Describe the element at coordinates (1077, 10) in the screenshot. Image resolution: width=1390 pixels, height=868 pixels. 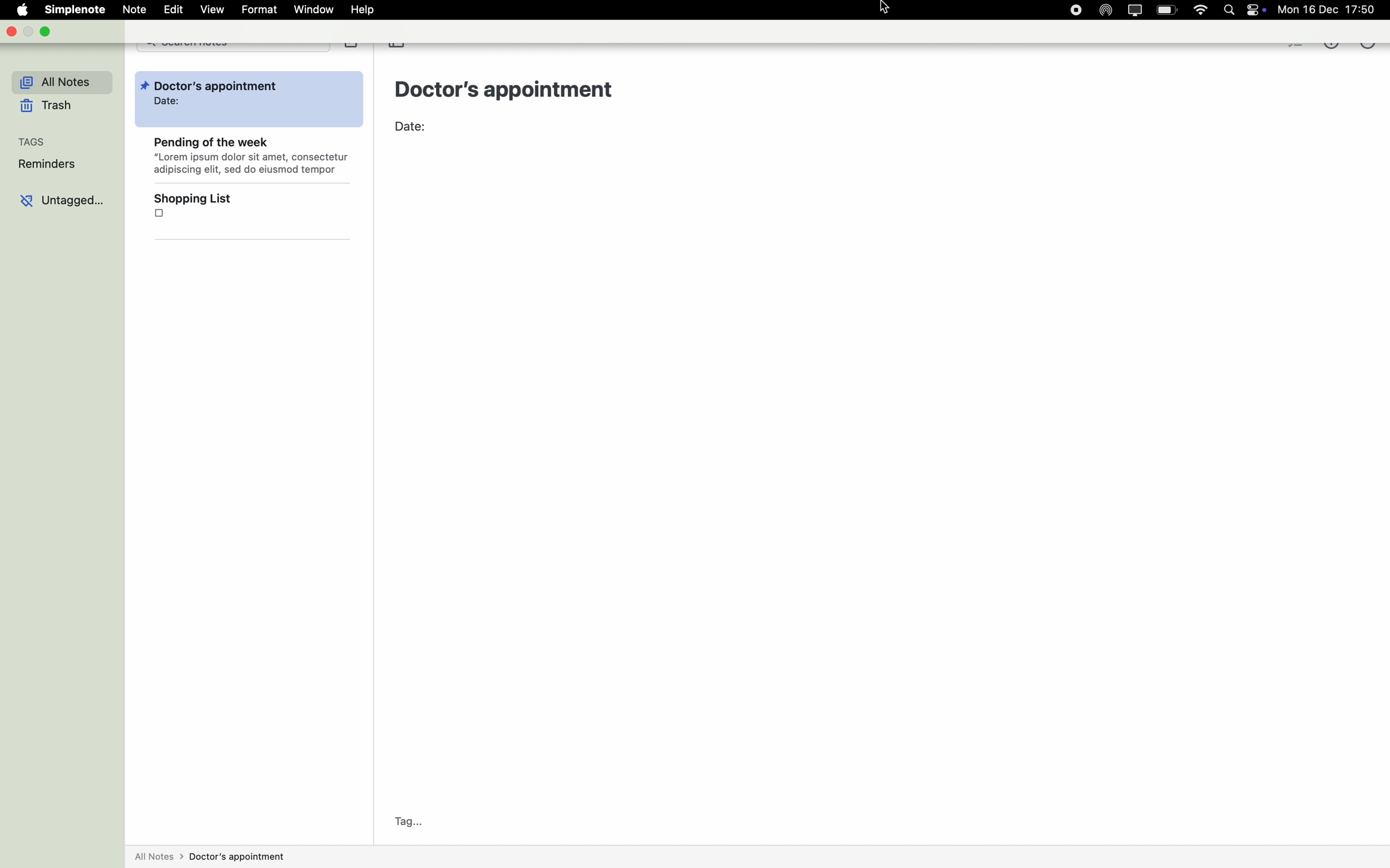
I see `stop recording` at that location.